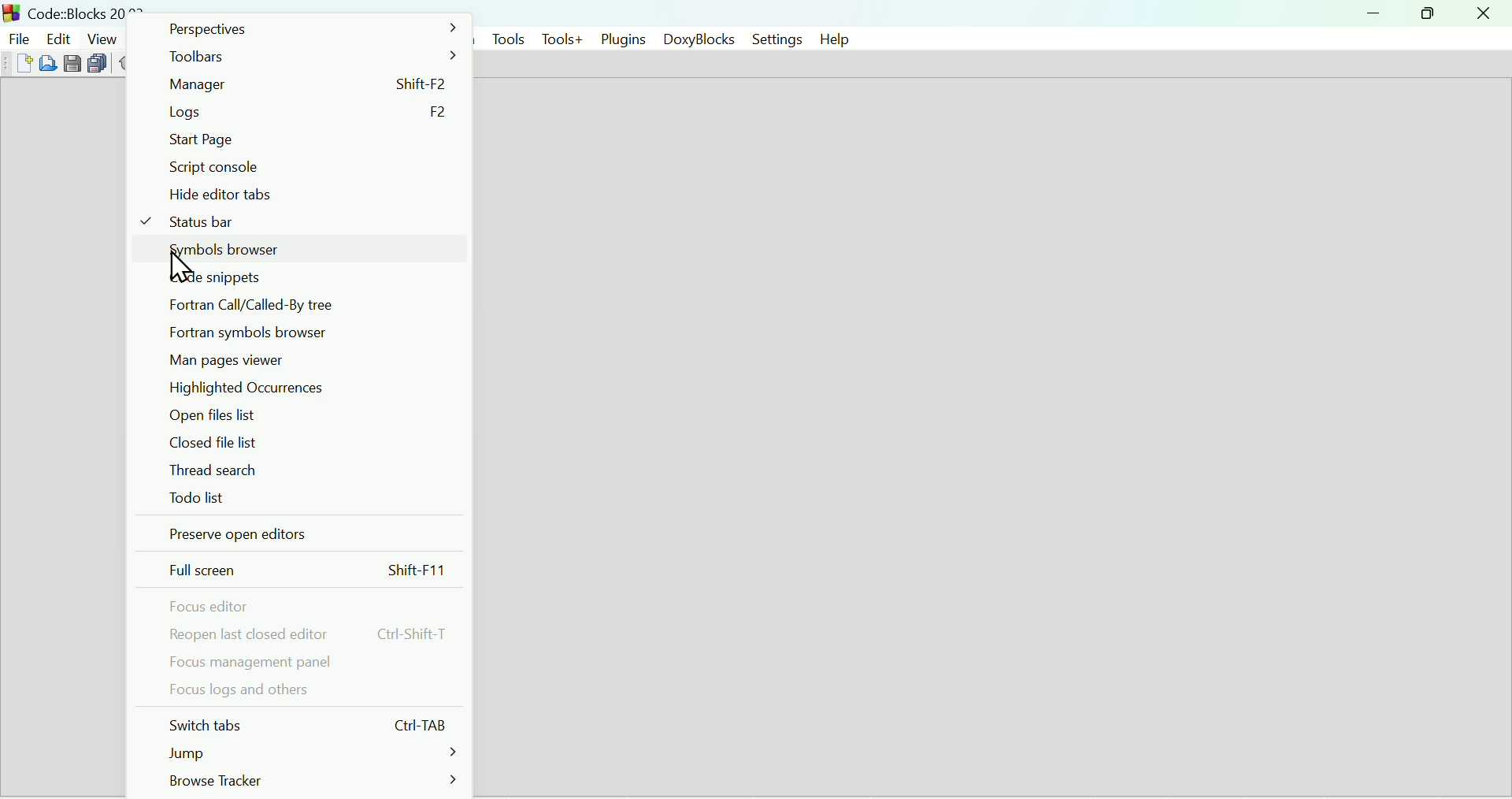 The width and height of the screenshot is (1512, 799). I want to click on Hide editor tabs, so click(306, 194).